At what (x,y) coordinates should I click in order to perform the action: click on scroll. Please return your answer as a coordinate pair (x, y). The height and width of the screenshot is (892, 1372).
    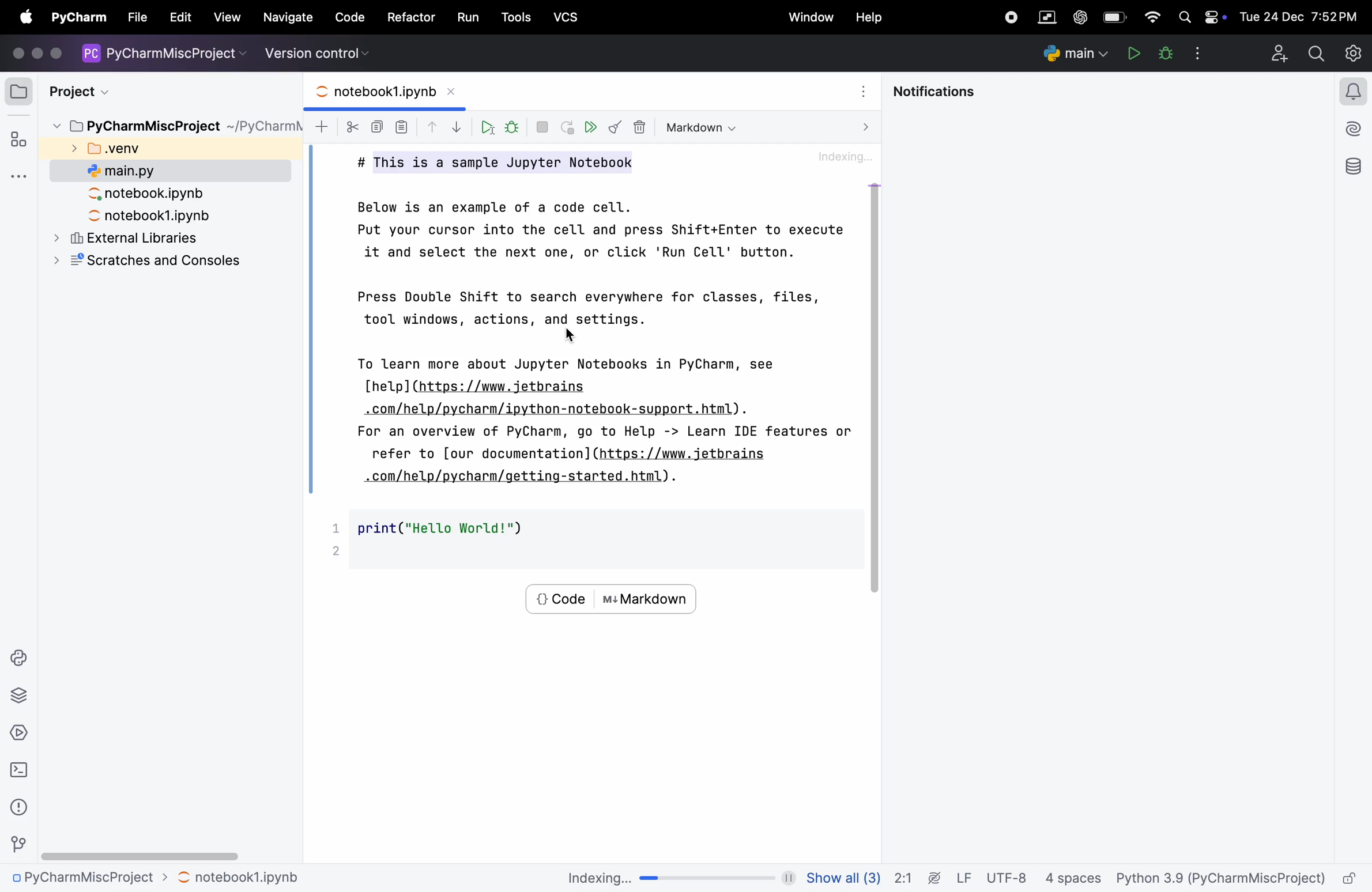
    Looking at the image, I should click on (875, 384).